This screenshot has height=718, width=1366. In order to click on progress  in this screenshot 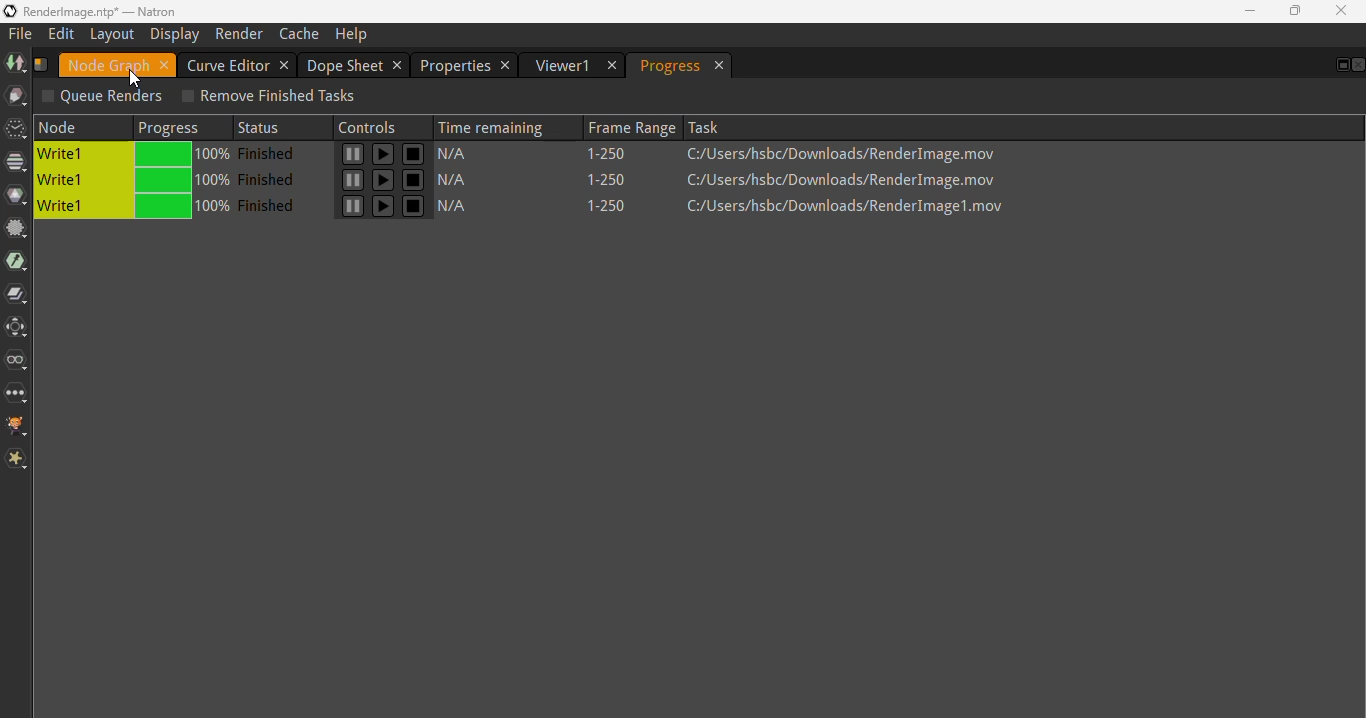, I will do `click(670, 66)`.